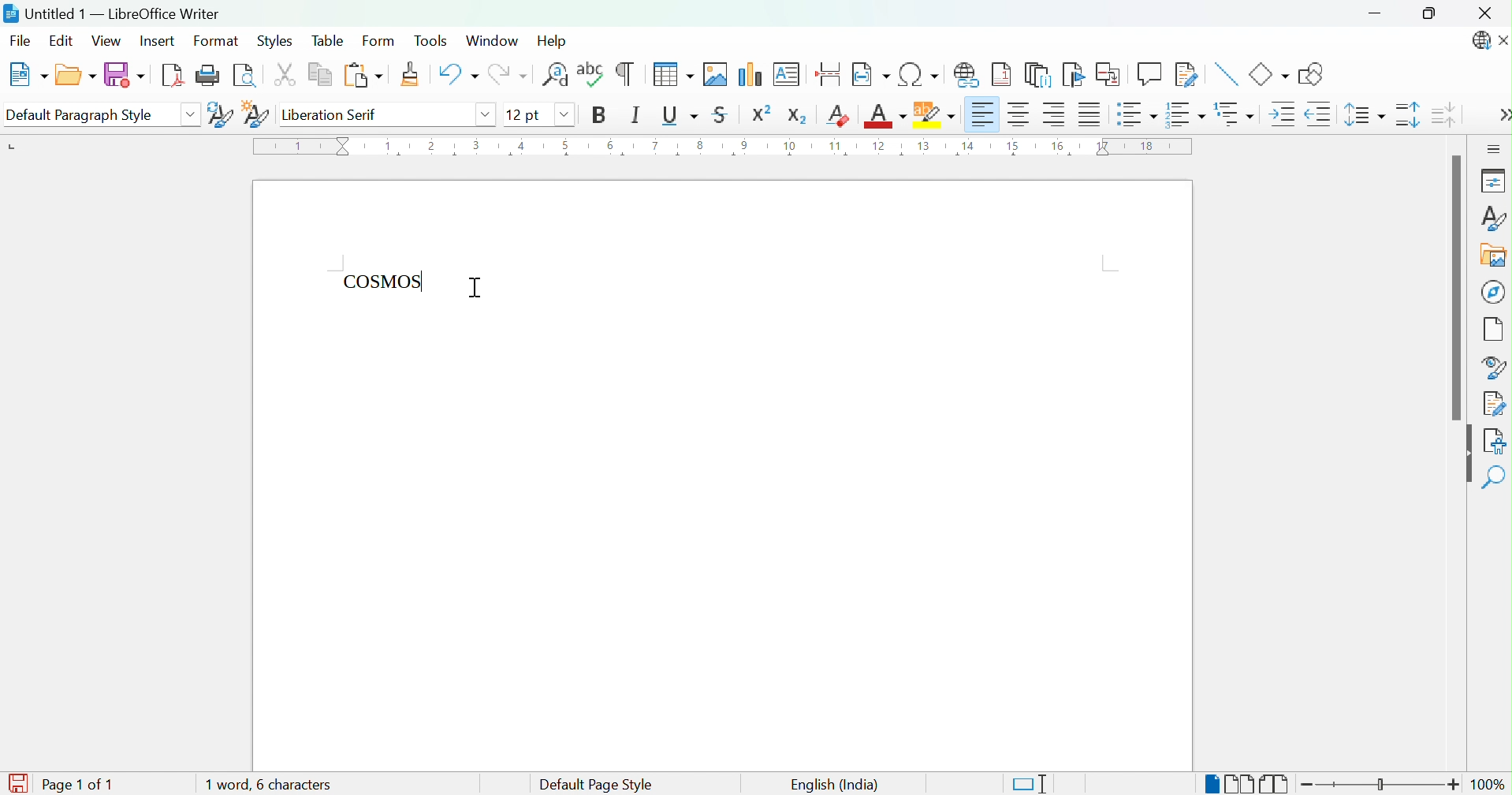  I want to click on Zoom out, so click(1313, 787).